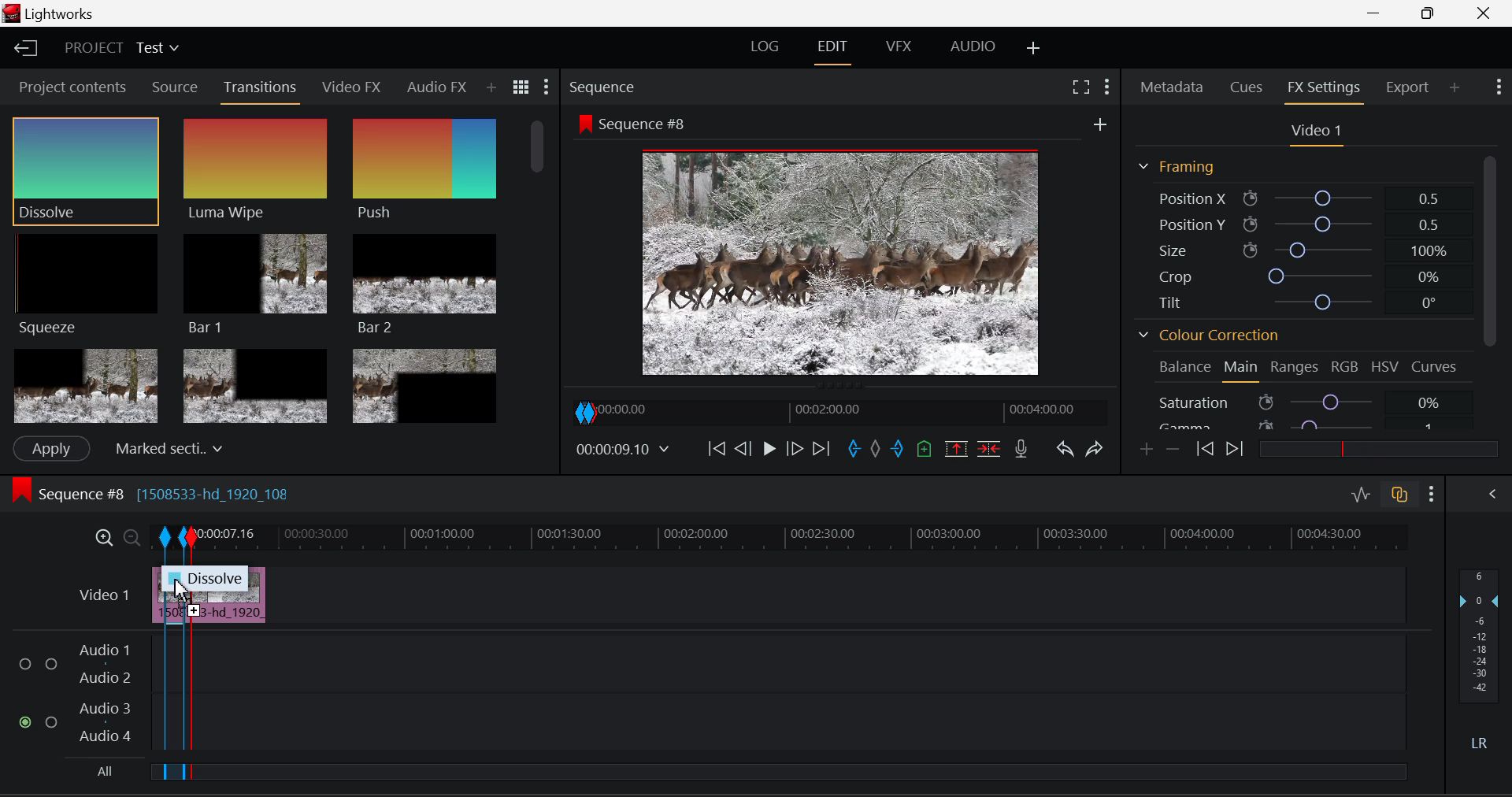  Describe the element at coordinates (1411, 87) in the screenshot. I see `Export` at that location.